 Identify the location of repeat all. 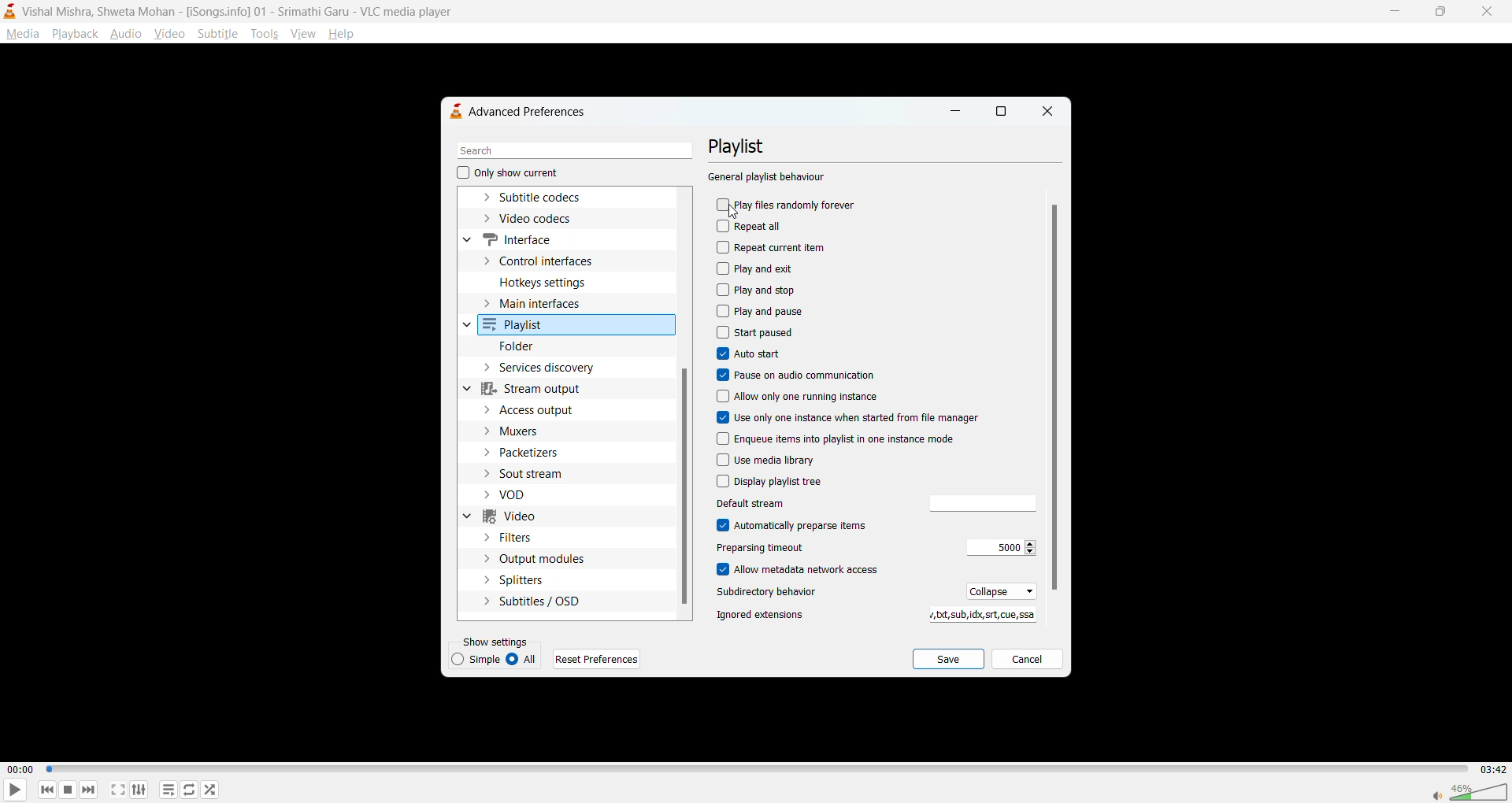
(756, 227).